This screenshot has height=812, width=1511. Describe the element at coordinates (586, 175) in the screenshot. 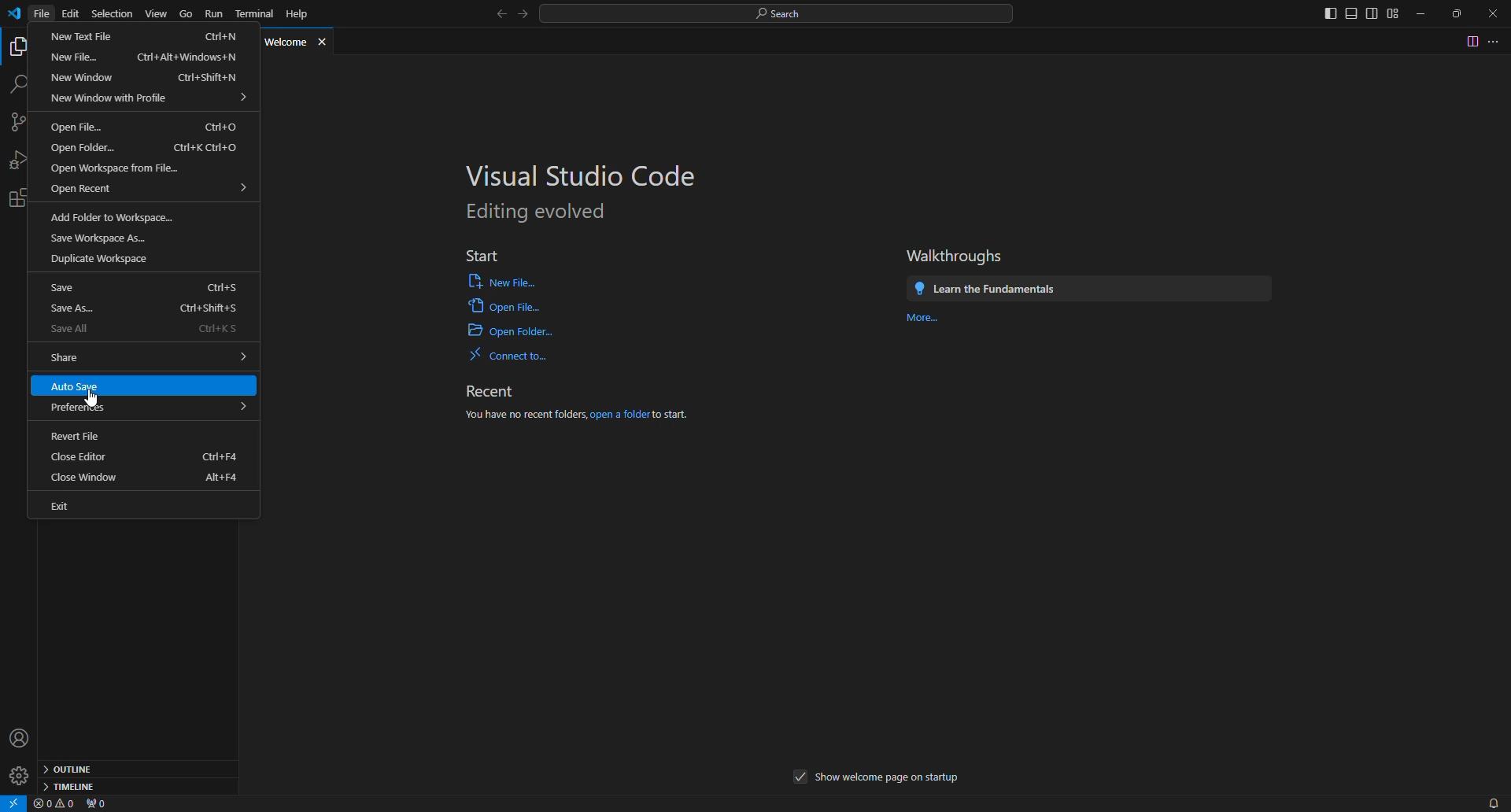

I see `visual studio code` at that location.